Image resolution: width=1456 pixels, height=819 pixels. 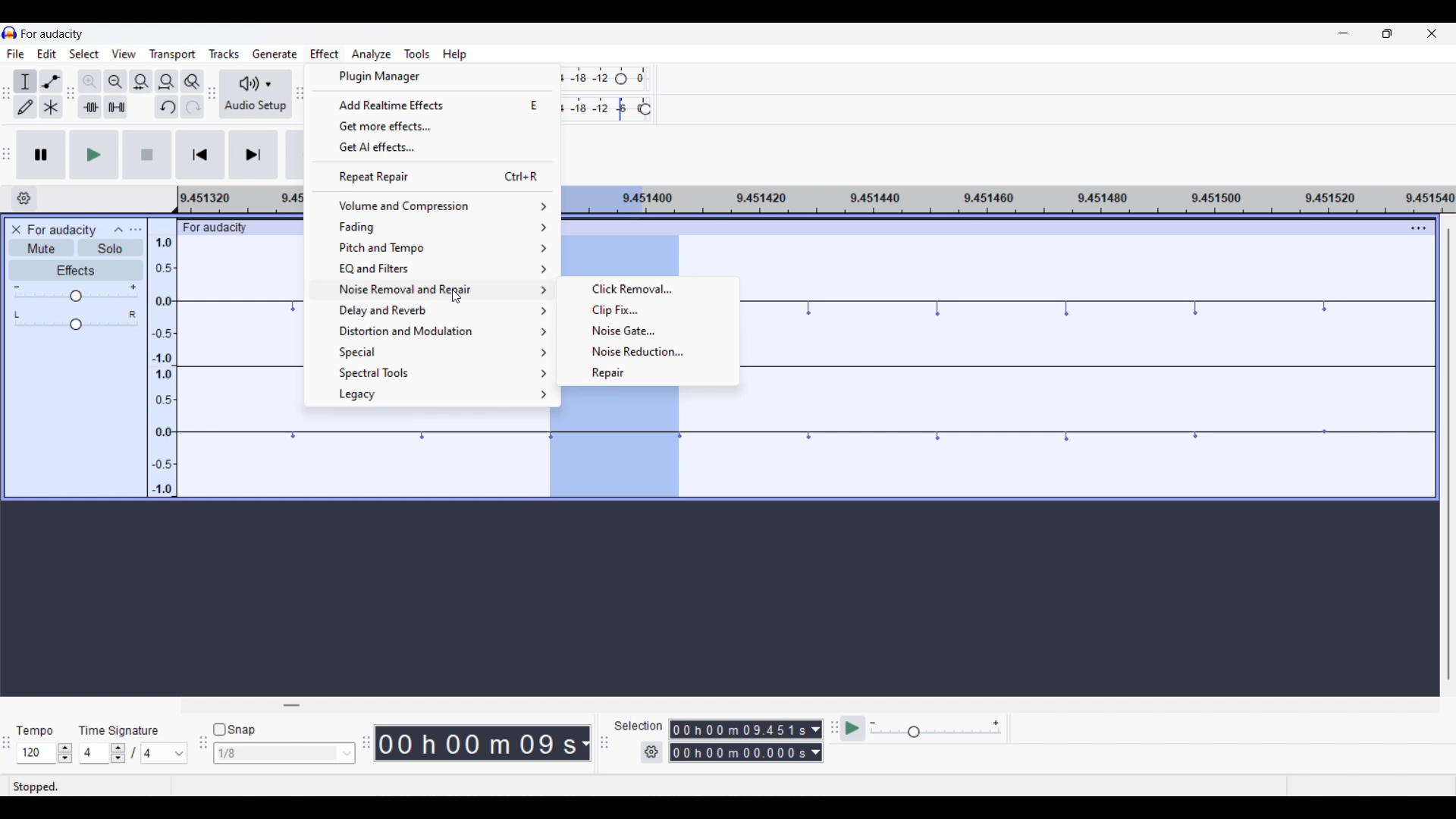 What do you see at coordinates (24, 199) in the screenshot?
I see `Timeline options` at bounding box center [24, 199].